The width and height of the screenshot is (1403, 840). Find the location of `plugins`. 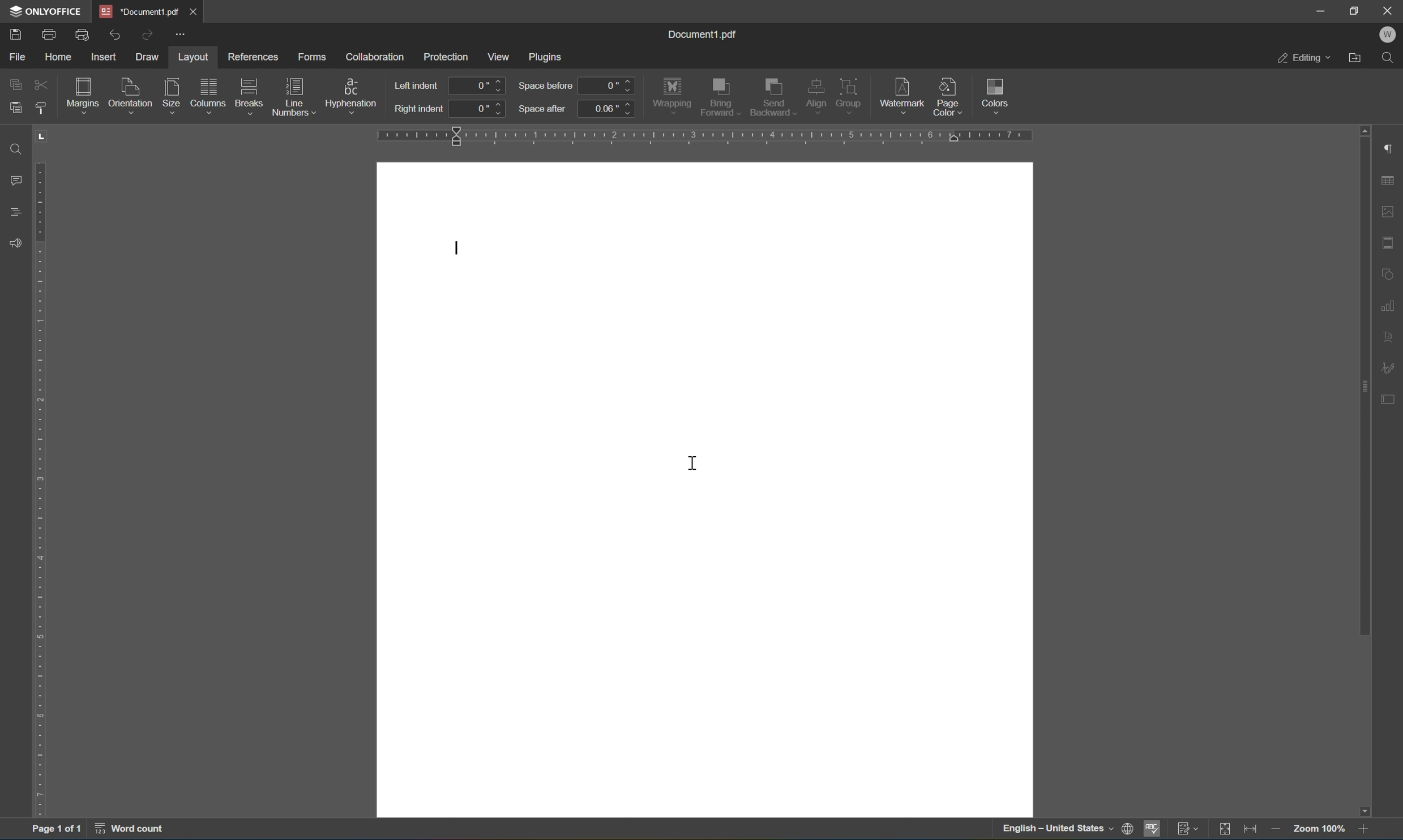

plugins is located at coordinates (548, 55).